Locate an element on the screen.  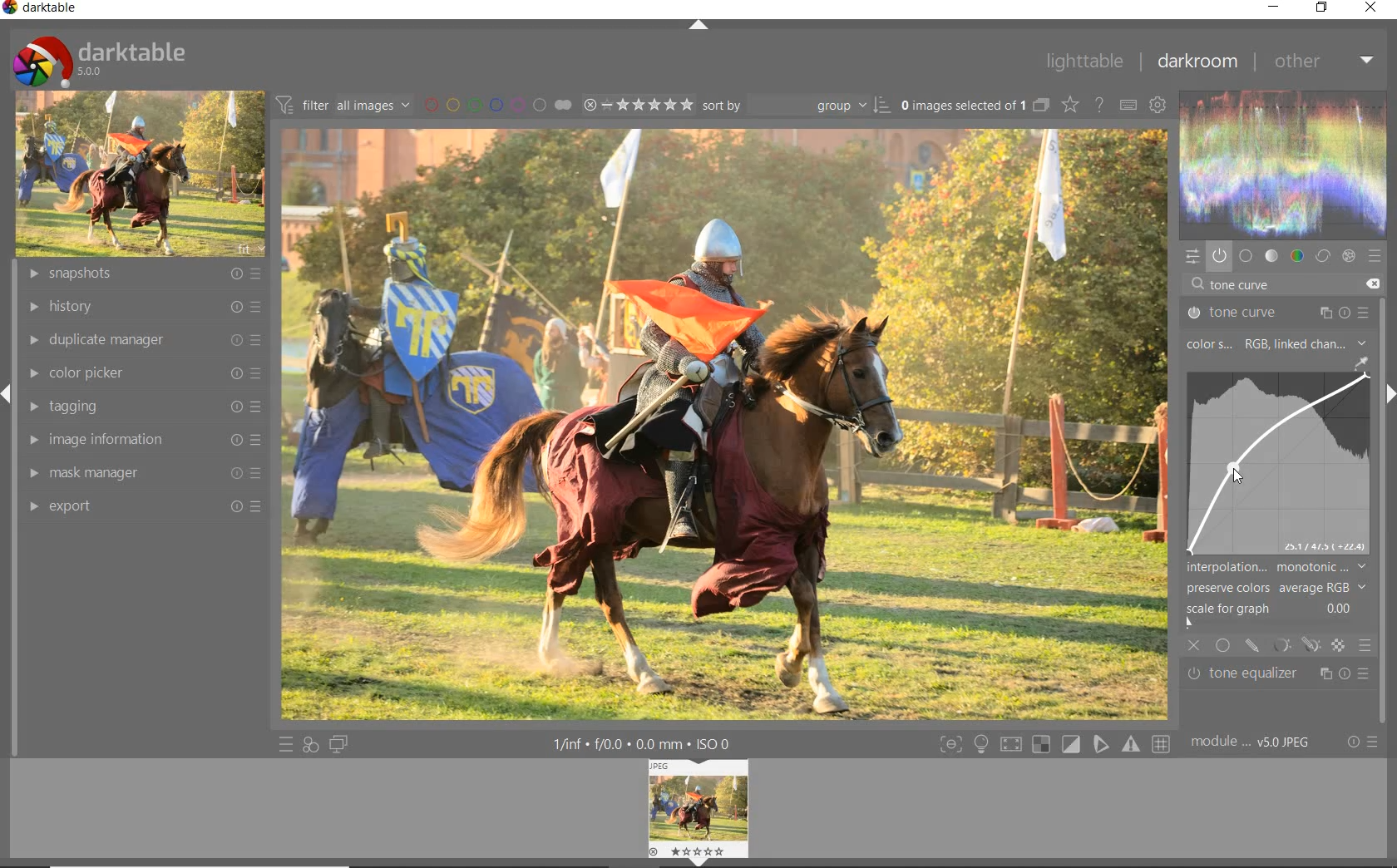
tone is located at coordinates (1272, 256).